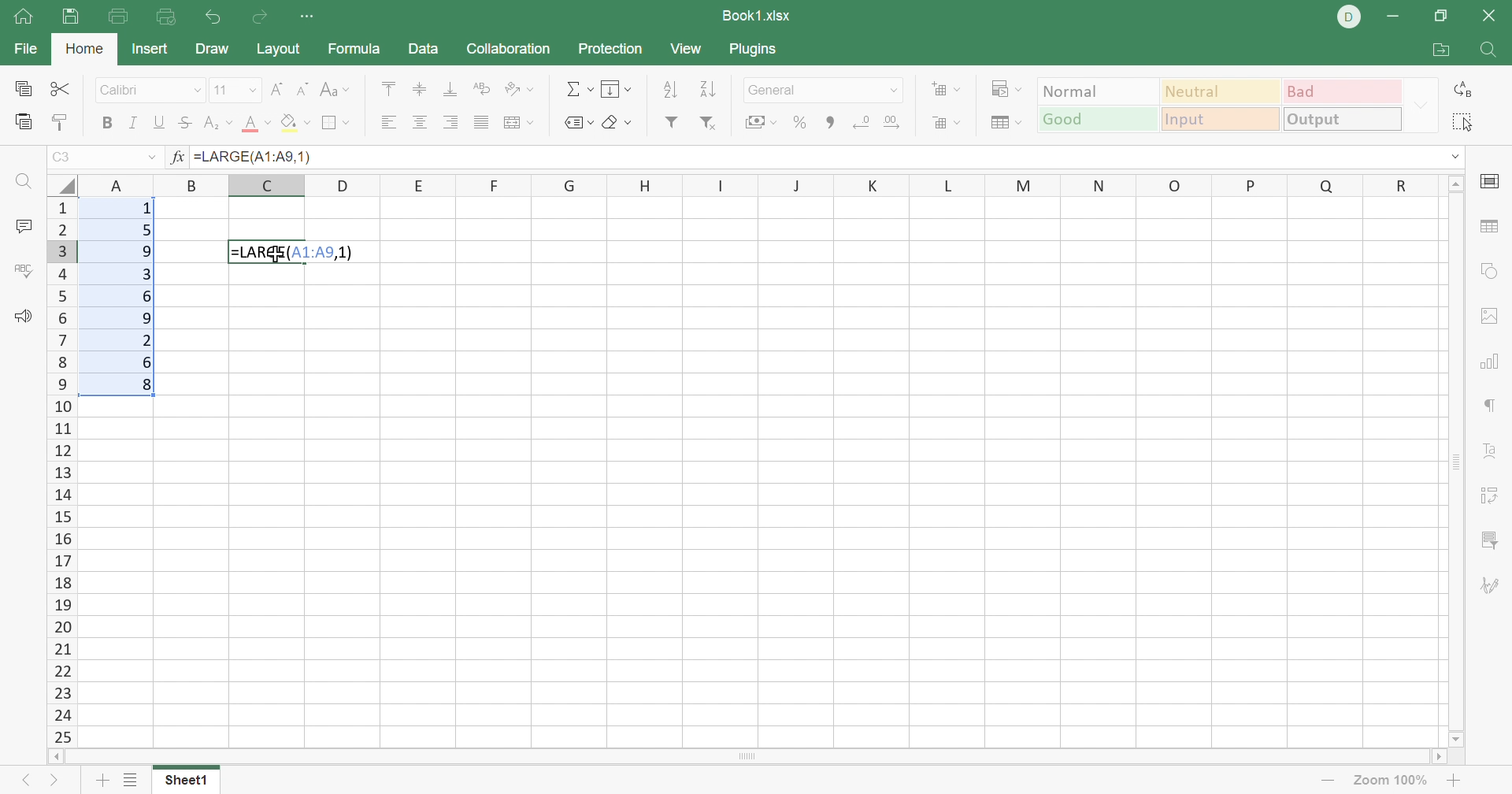  Describe the element at coordinates (72, 17) in the screenshot. I see `Save` at that location.